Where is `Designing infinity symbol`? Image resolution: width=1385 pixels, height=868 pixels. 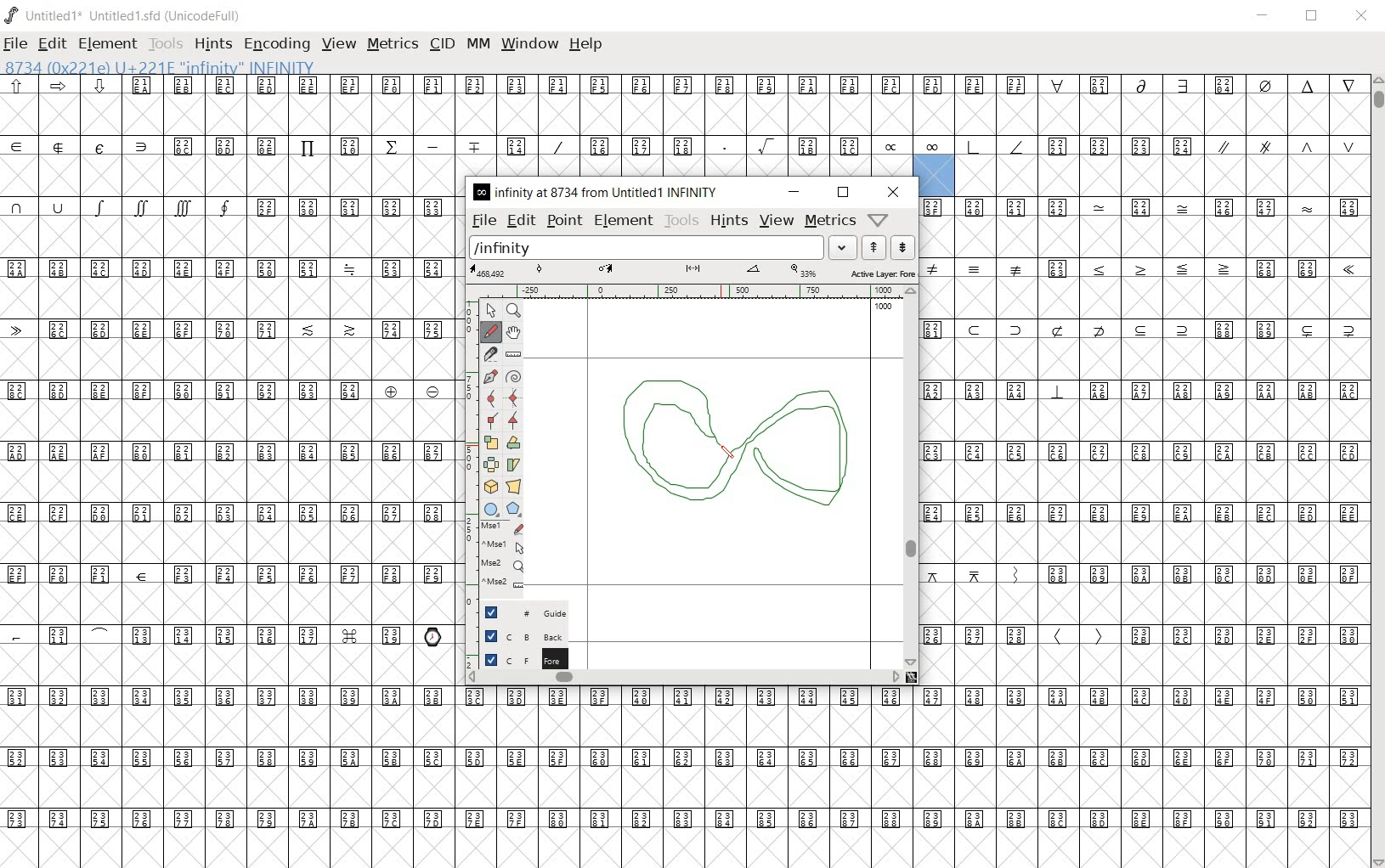 Designing infinity symbol is located at coordinates (731, 446).